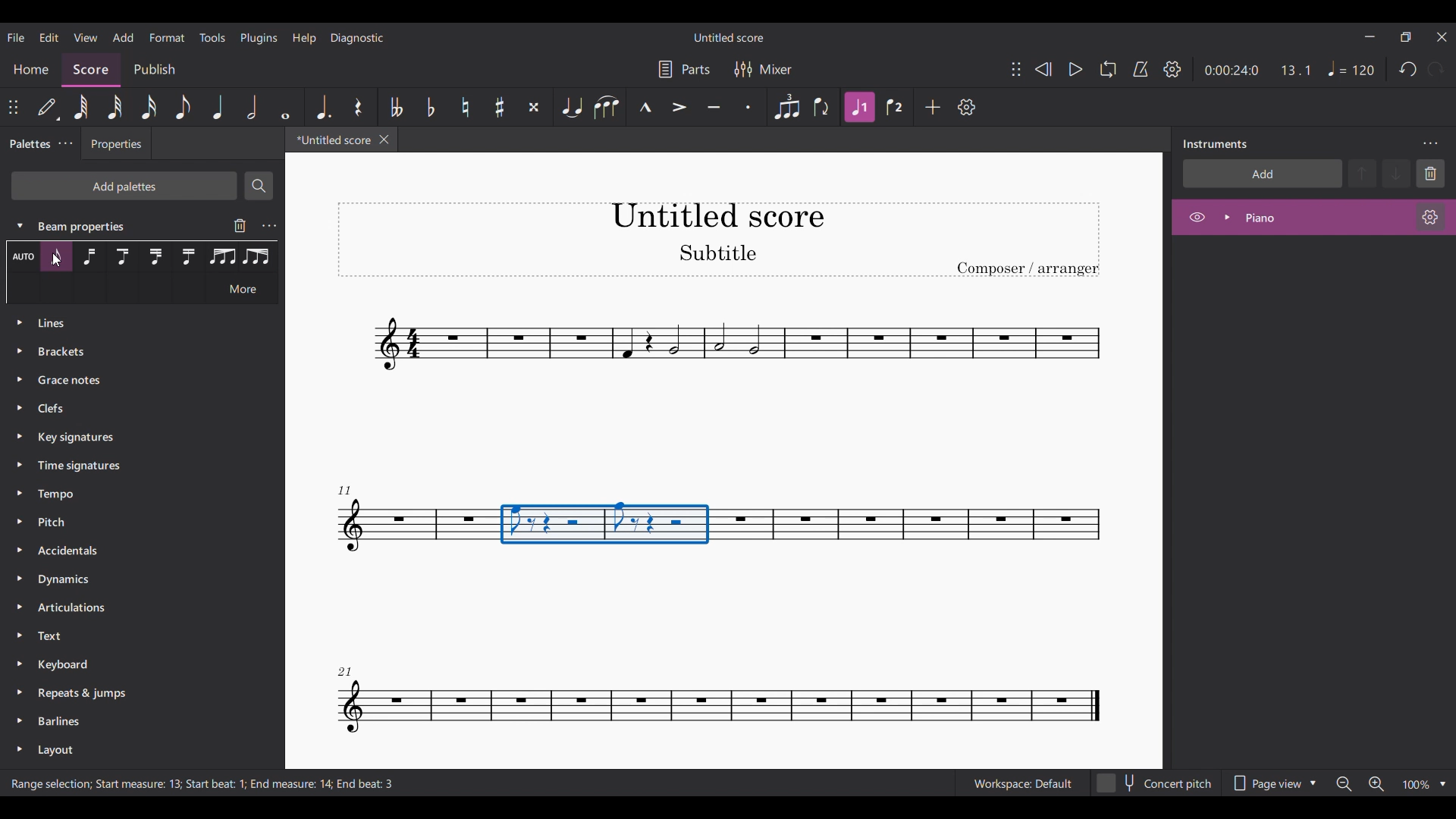 This screenshot has height=819, width=1456. I want to click on Repeats & jumps, so click(129, 690).